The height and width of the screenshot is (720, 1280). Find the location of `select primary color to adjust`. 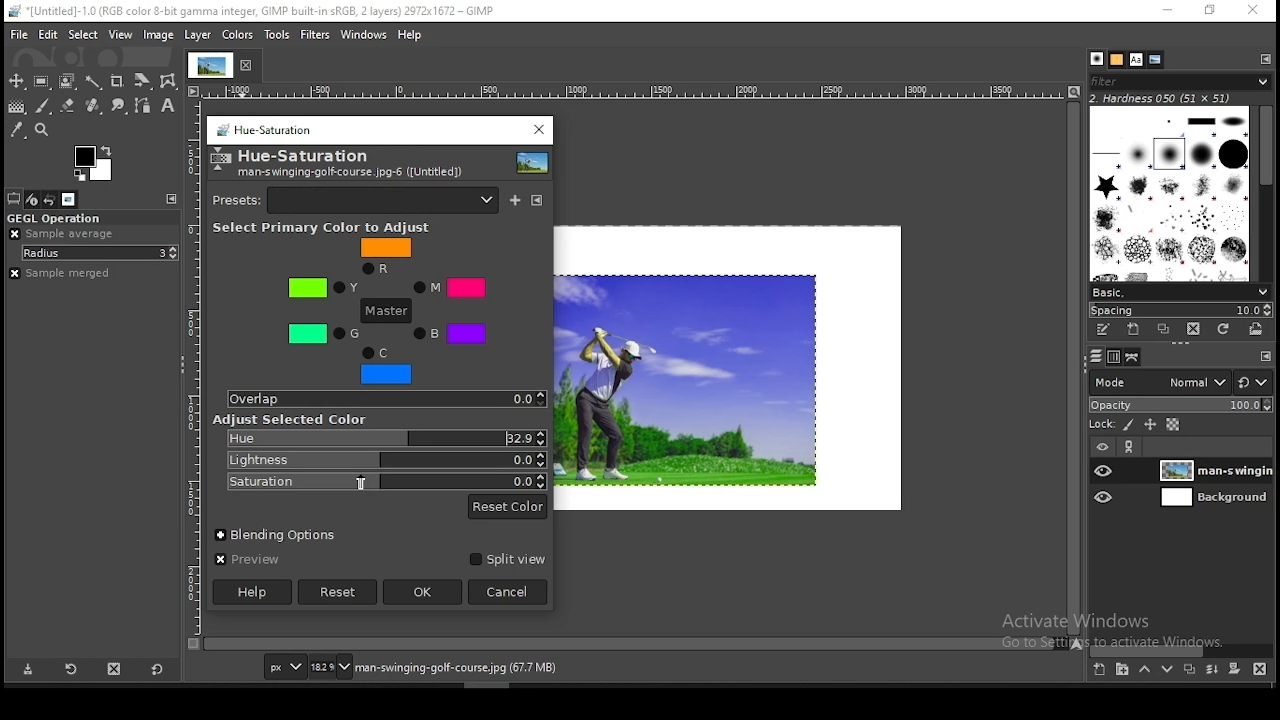

select primary color to adjust is located at coordinates (331, 227).